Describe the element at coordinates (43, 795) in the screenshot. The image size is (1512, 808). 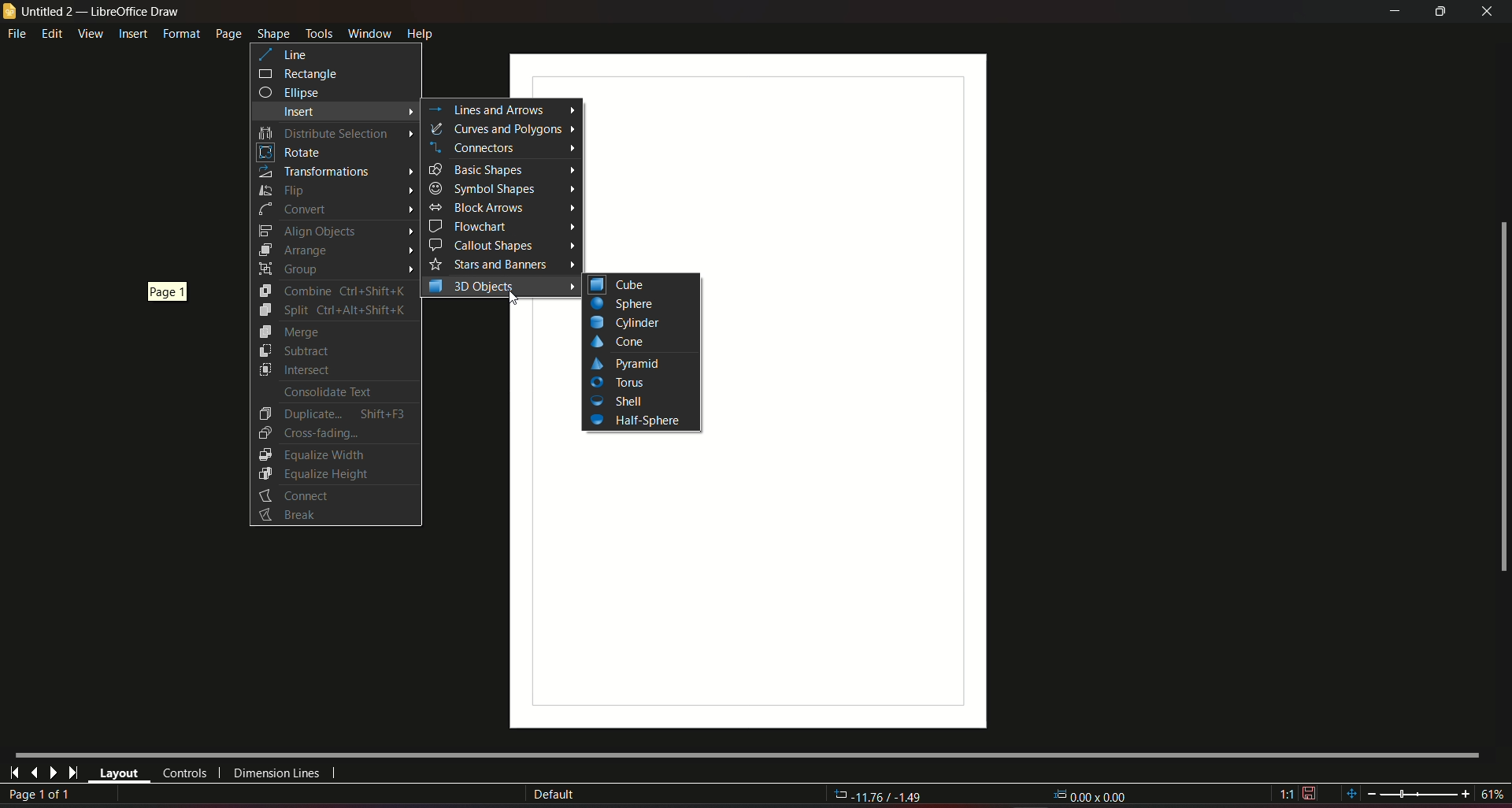
I see `page 1` at that location.